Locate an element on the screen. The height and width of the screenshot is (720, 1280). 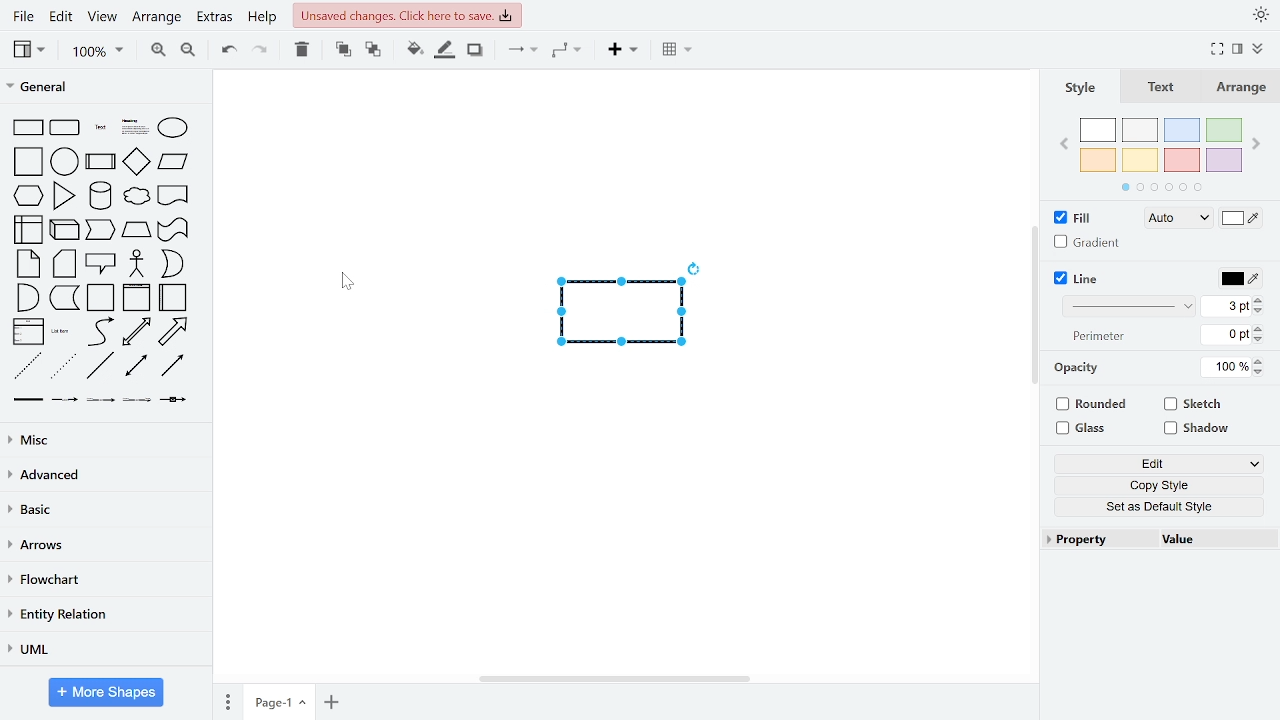
undo is located at coordinates (229, 52).